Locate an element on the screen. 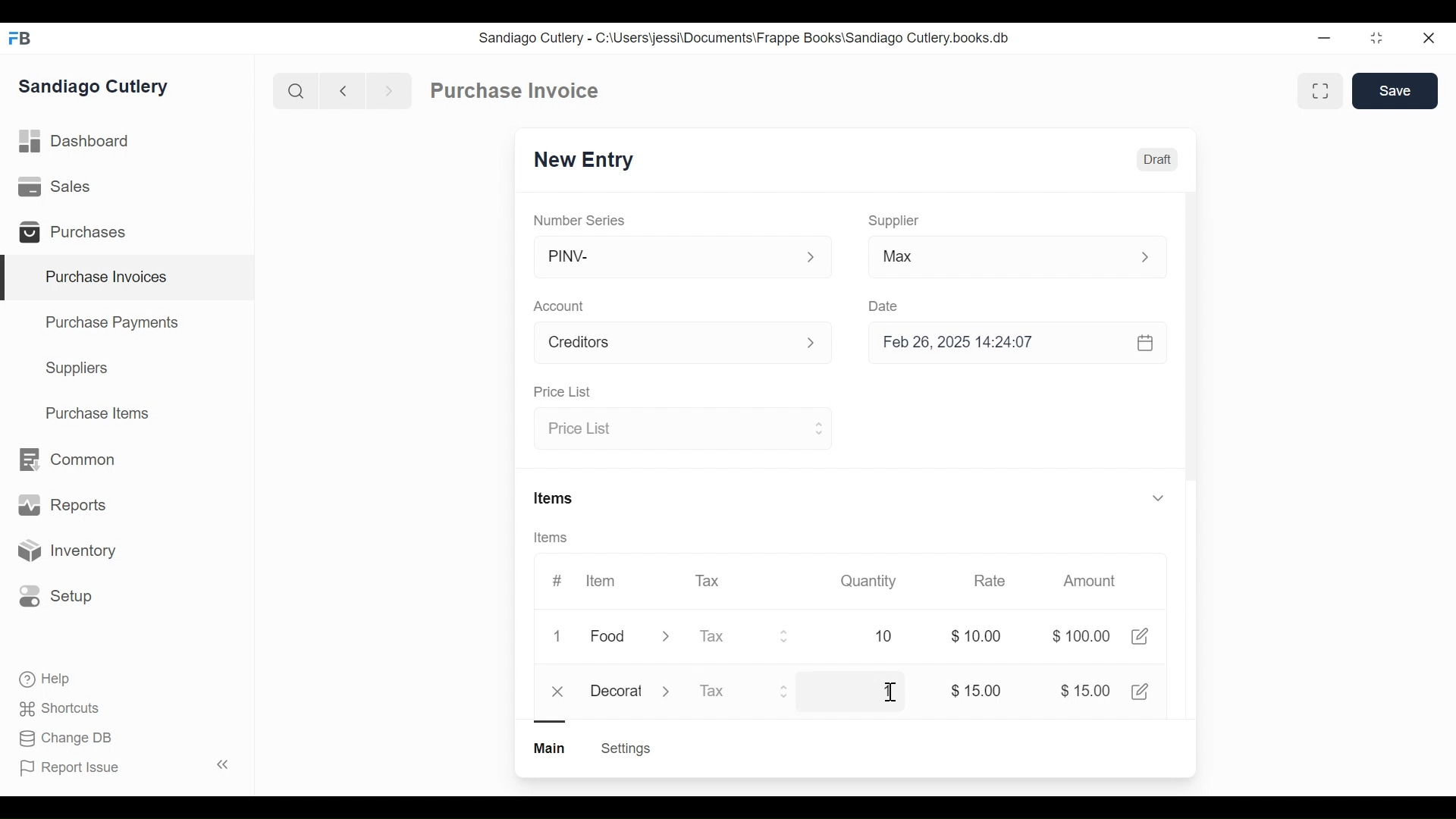  Item is located at coordinates (599, 581).